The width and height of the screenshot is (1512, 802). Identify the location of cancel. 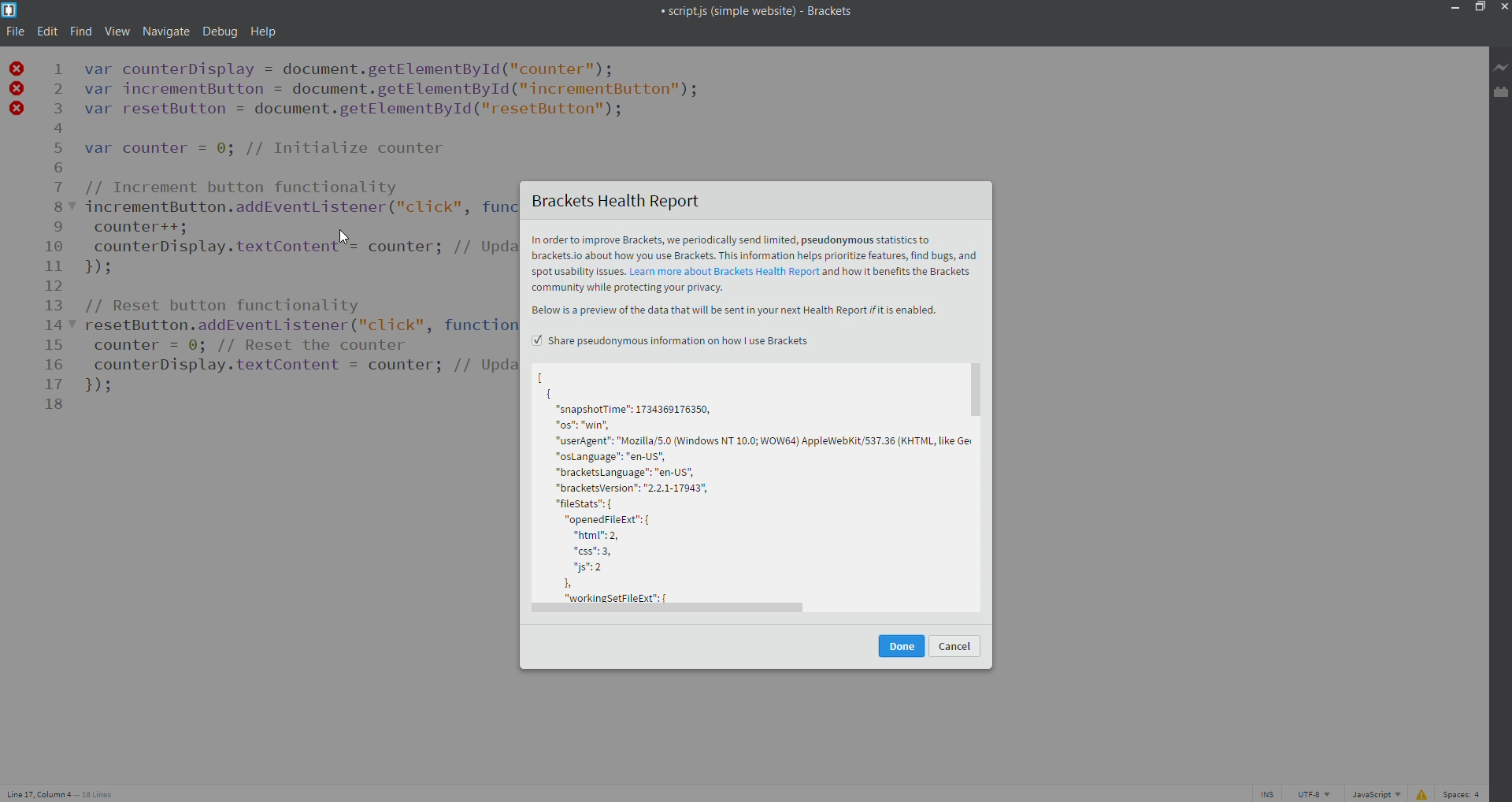
(955, 645).